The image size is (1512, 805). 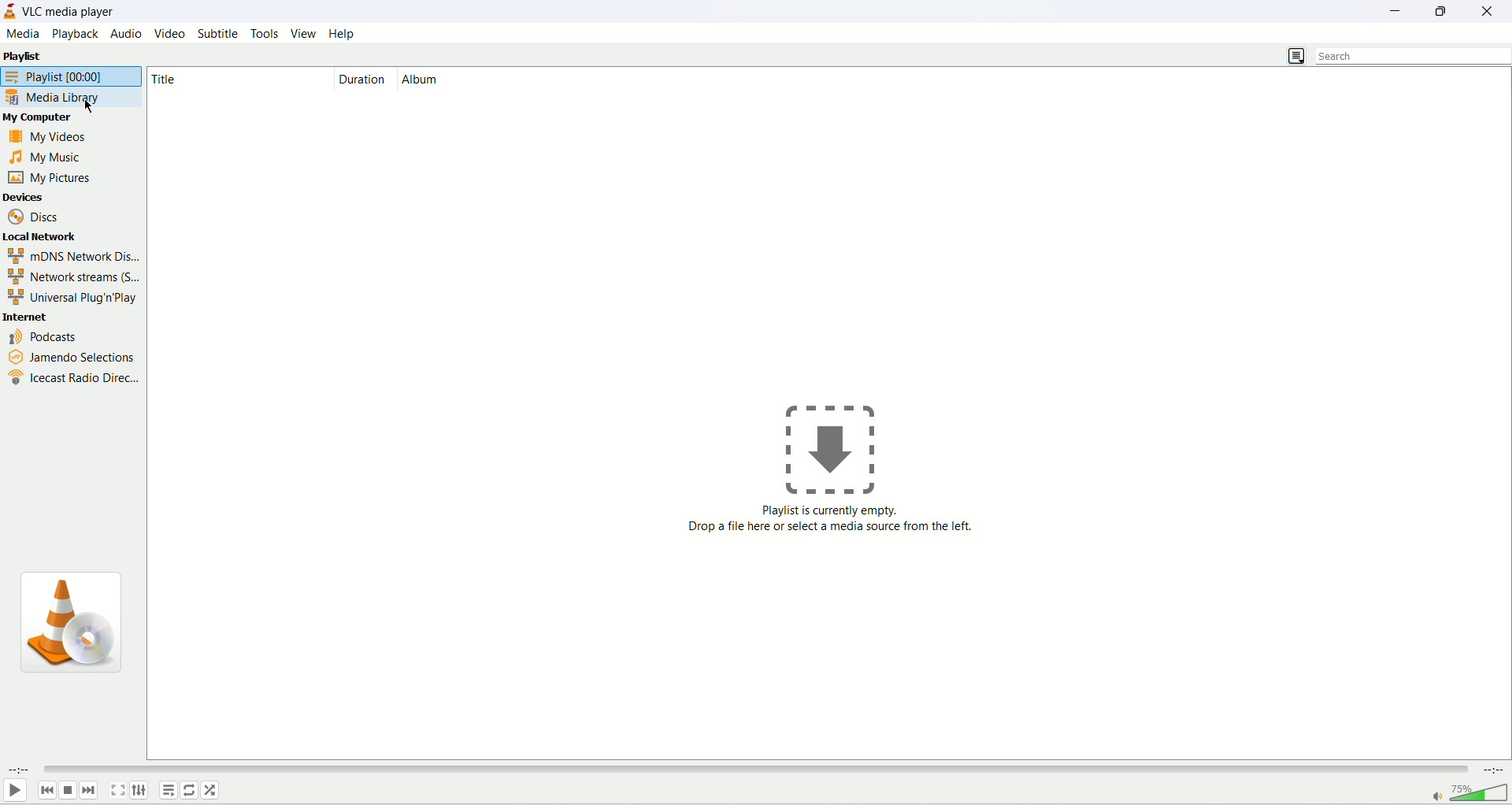 What do you see at coordinates (209, 79) in the screenshot?
I see `title` at bounding box center [209, 79].